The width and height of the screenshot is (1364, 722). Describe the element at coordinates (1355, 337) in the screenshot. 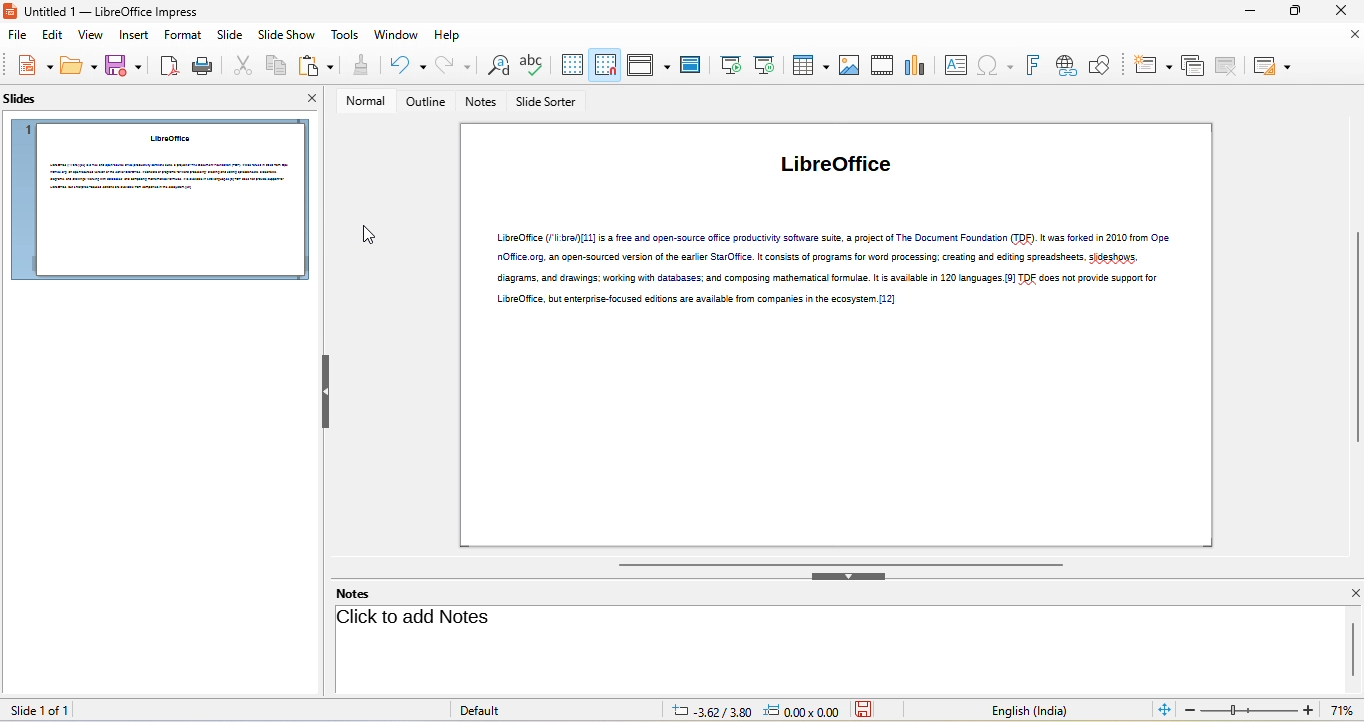

I see `vertical scroll bar` at that location.